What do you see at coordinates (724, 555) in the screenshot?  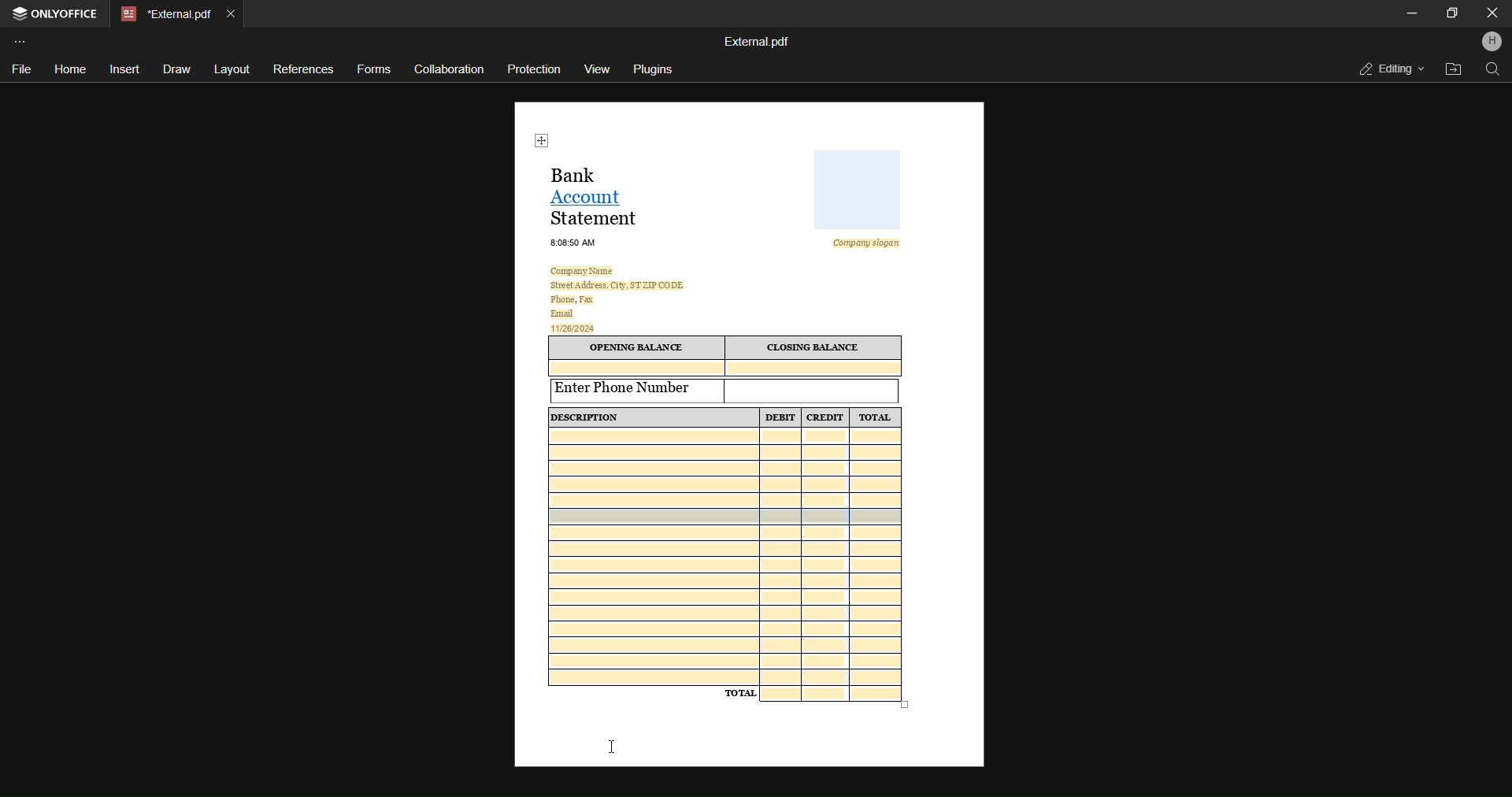 I see `Fields` at bounding box center [724, 555].